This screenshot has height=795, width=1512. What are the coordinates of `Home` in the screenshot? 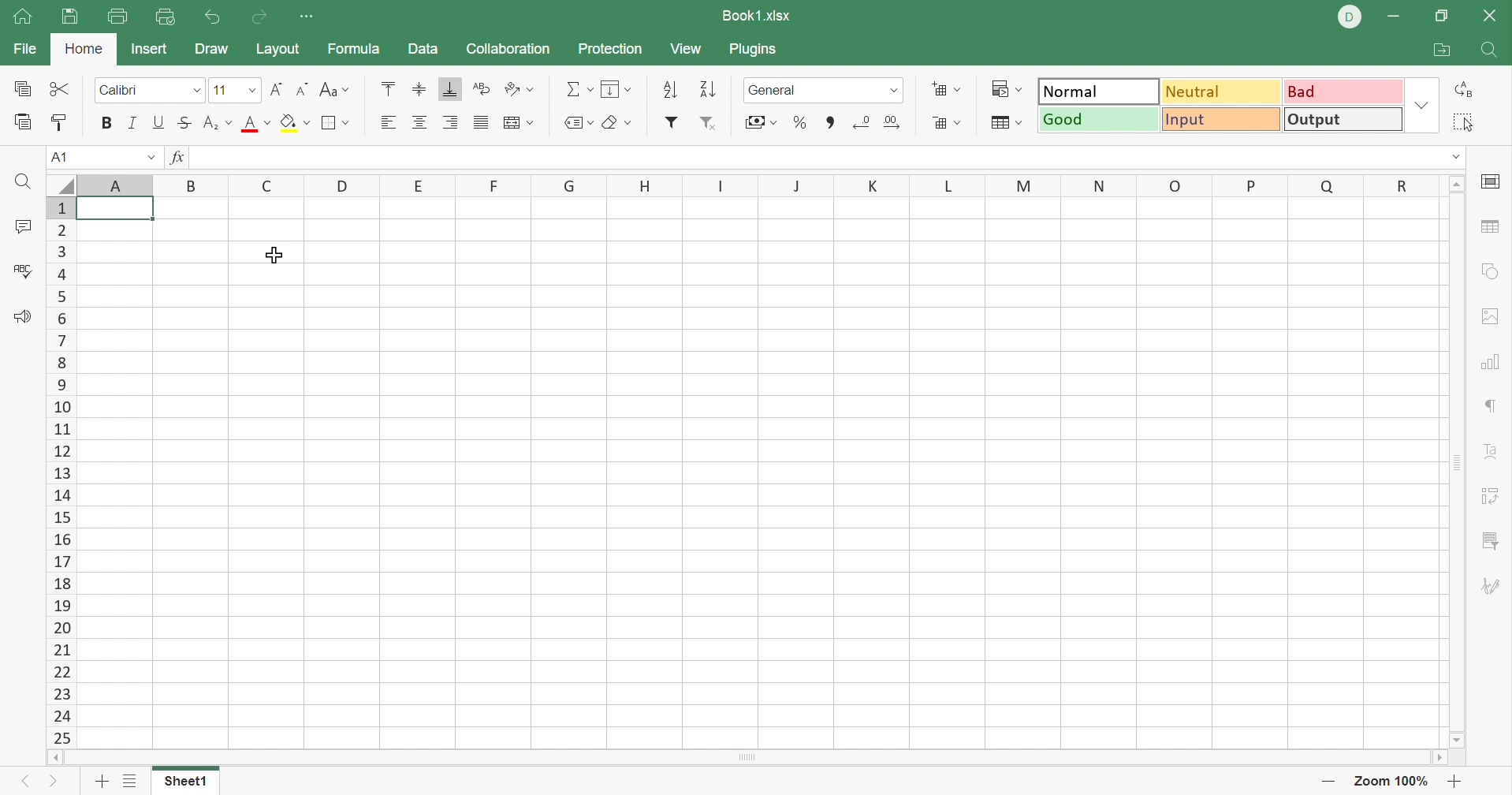 It's located at (83, 51).